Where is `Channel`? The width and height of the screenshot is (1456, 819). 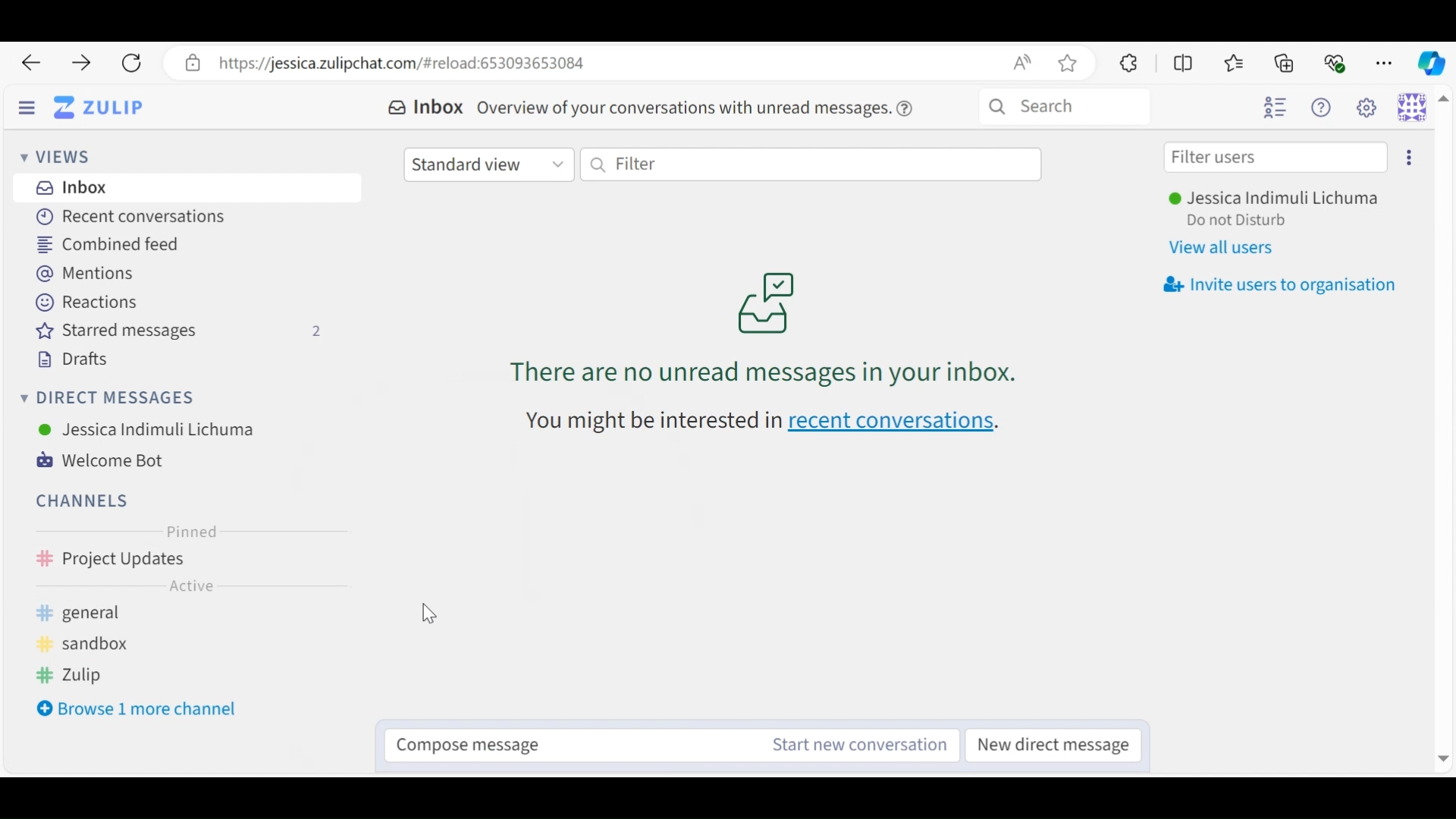 Channel is located at coordinates (174, 589).